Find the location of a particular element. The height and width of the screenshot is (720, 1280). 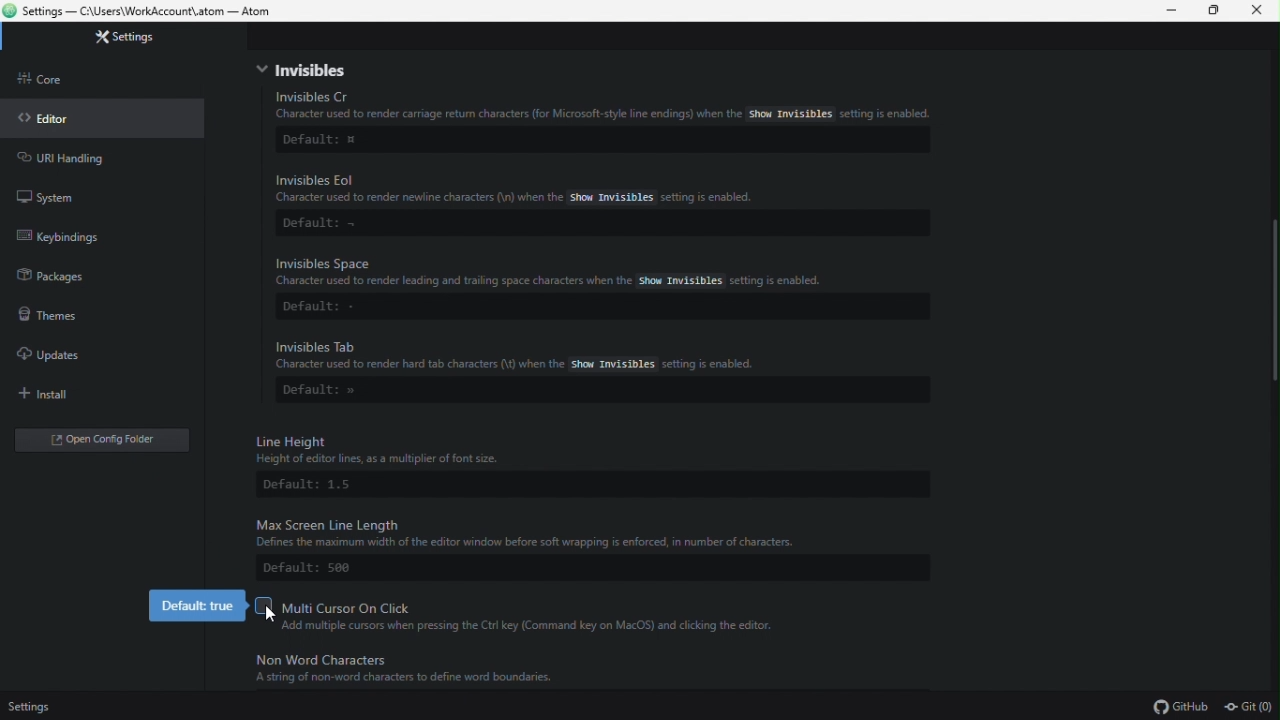

Install  is located at coordinates (55, 395).